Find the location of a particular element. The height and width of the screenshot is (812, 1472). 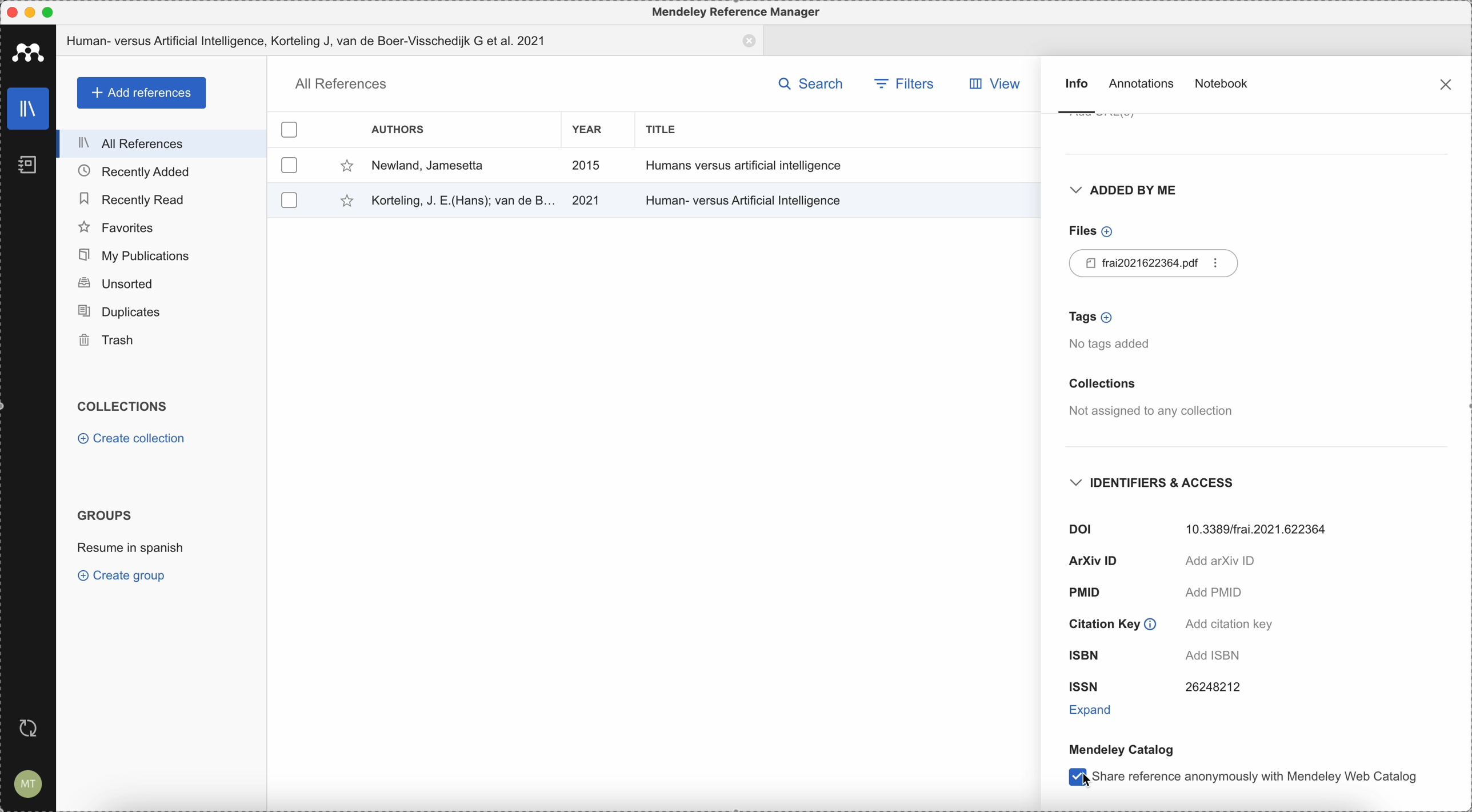

recently read is located at coordinates (161, 198).